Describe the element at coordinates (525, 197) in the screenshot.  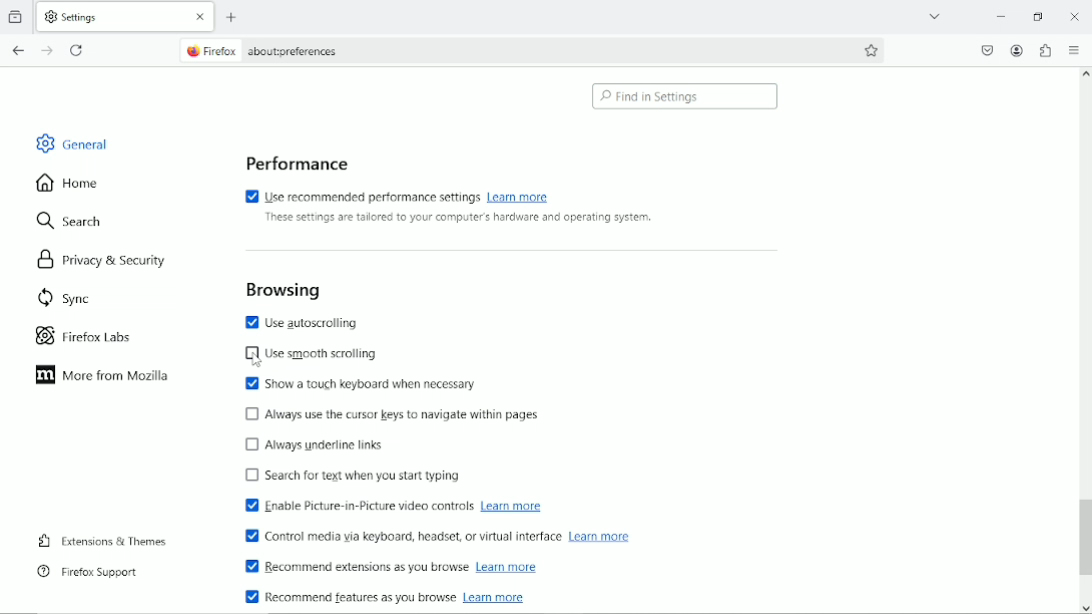
I see `Learn more` at that location.